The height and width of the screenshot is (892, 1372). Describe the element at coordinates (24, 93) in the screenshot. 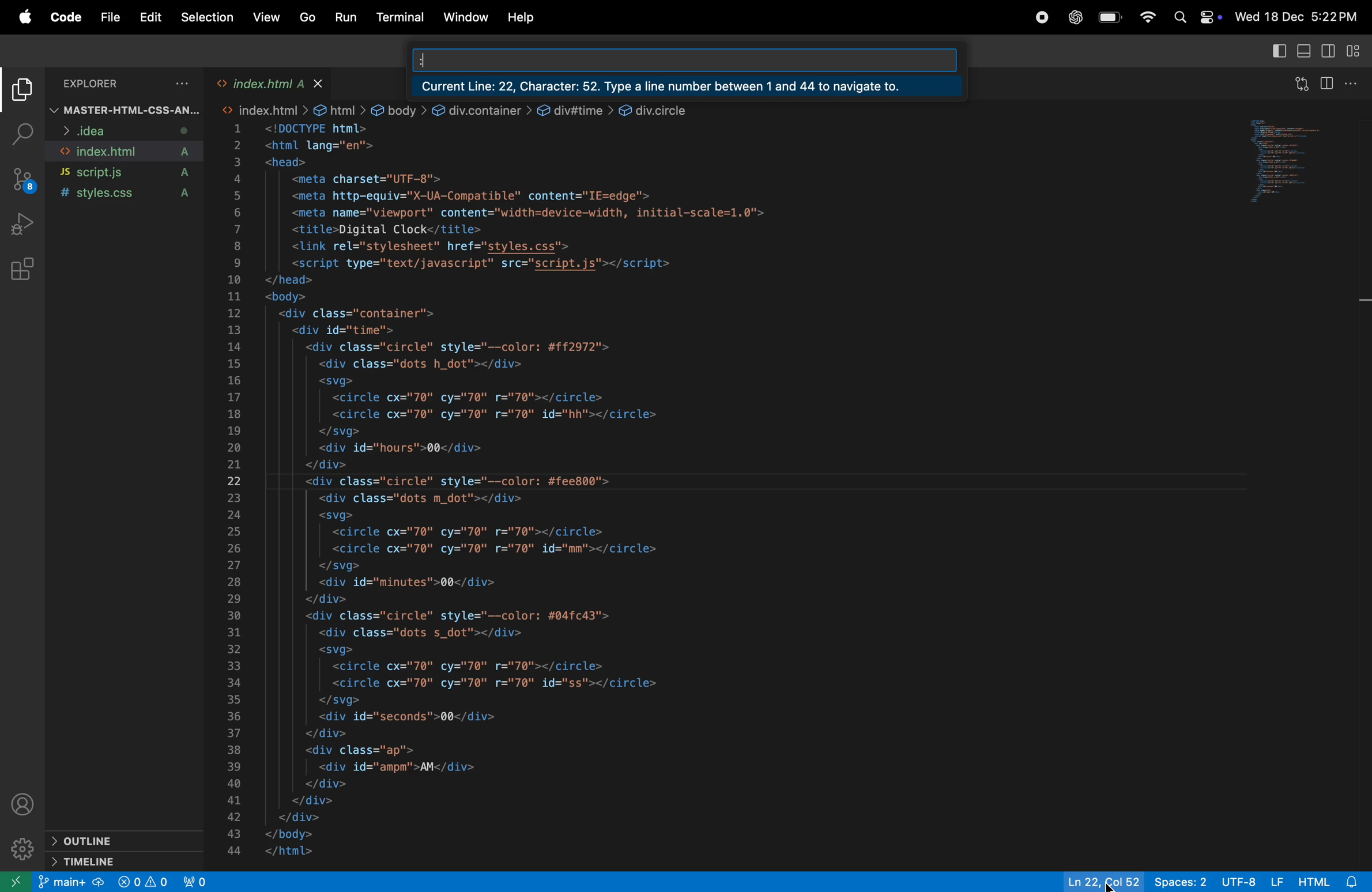

I see `explore` at that location.